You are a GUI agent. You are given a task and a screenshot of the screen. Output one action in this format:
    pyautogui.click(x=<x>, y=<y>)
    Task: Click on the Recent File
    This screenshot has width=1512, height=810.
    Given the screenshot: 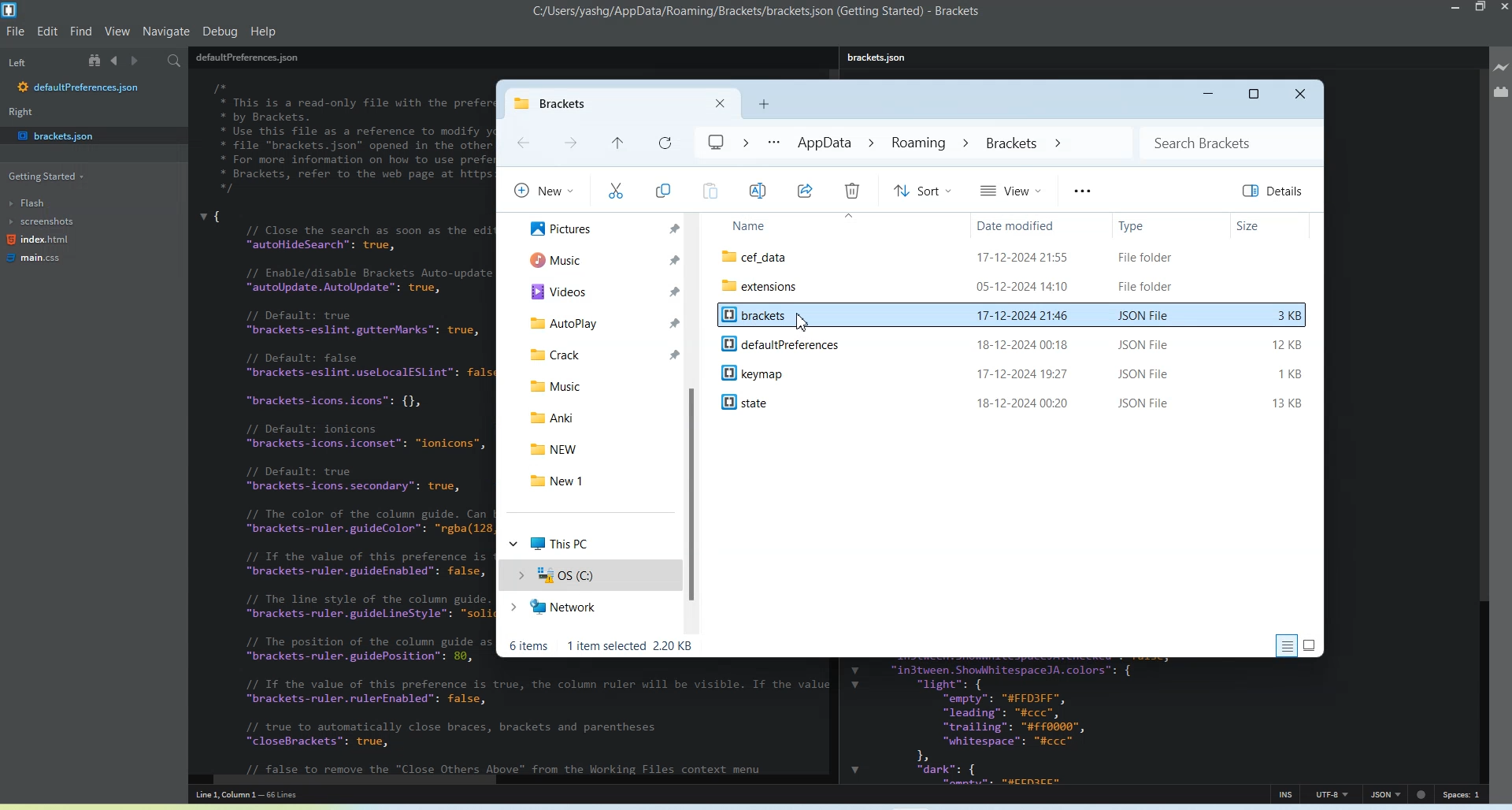 What is the action you would take?
    pyautogui.click(x=617, y=144)
    